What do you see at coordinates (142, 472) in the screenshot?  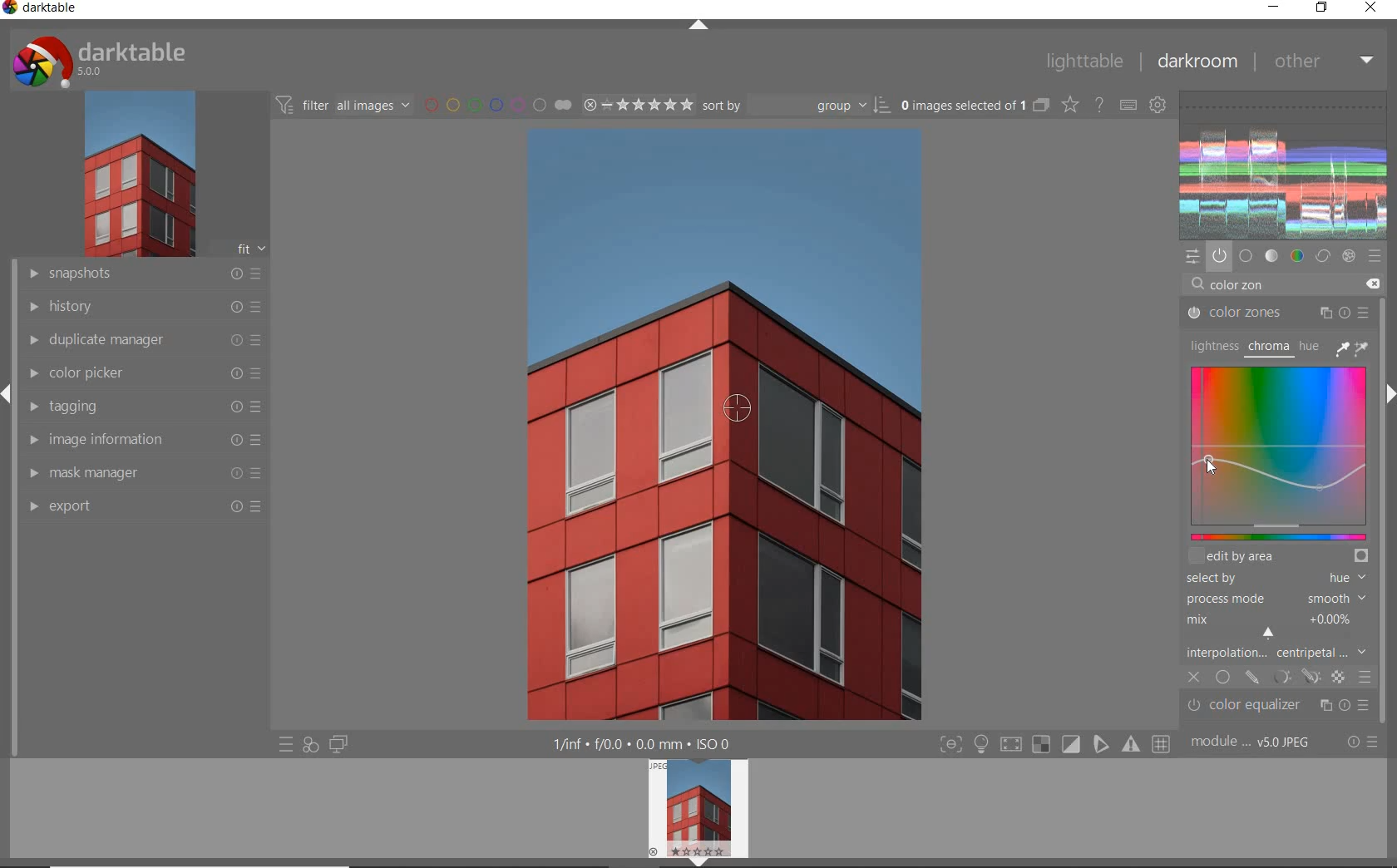 I see `mask manager` at bounding box center [142, 472].